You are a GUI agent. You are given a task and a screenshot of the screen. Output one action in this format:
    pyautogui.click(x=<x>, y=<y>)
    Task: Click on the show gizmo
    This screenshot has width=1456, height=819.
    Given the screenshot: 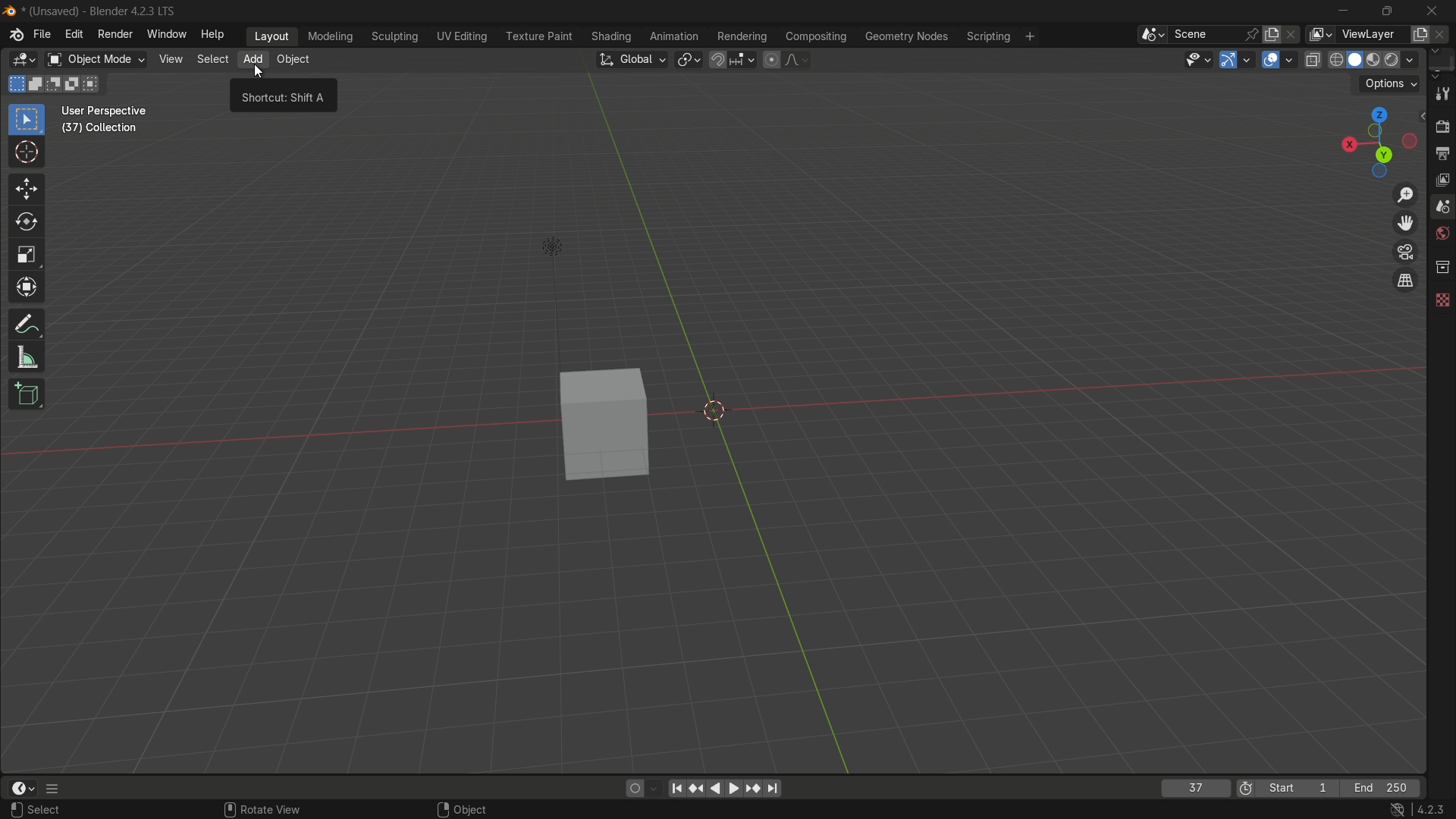 What is the action you would take?
    pyautogui.click(x=1227, y=59)
    